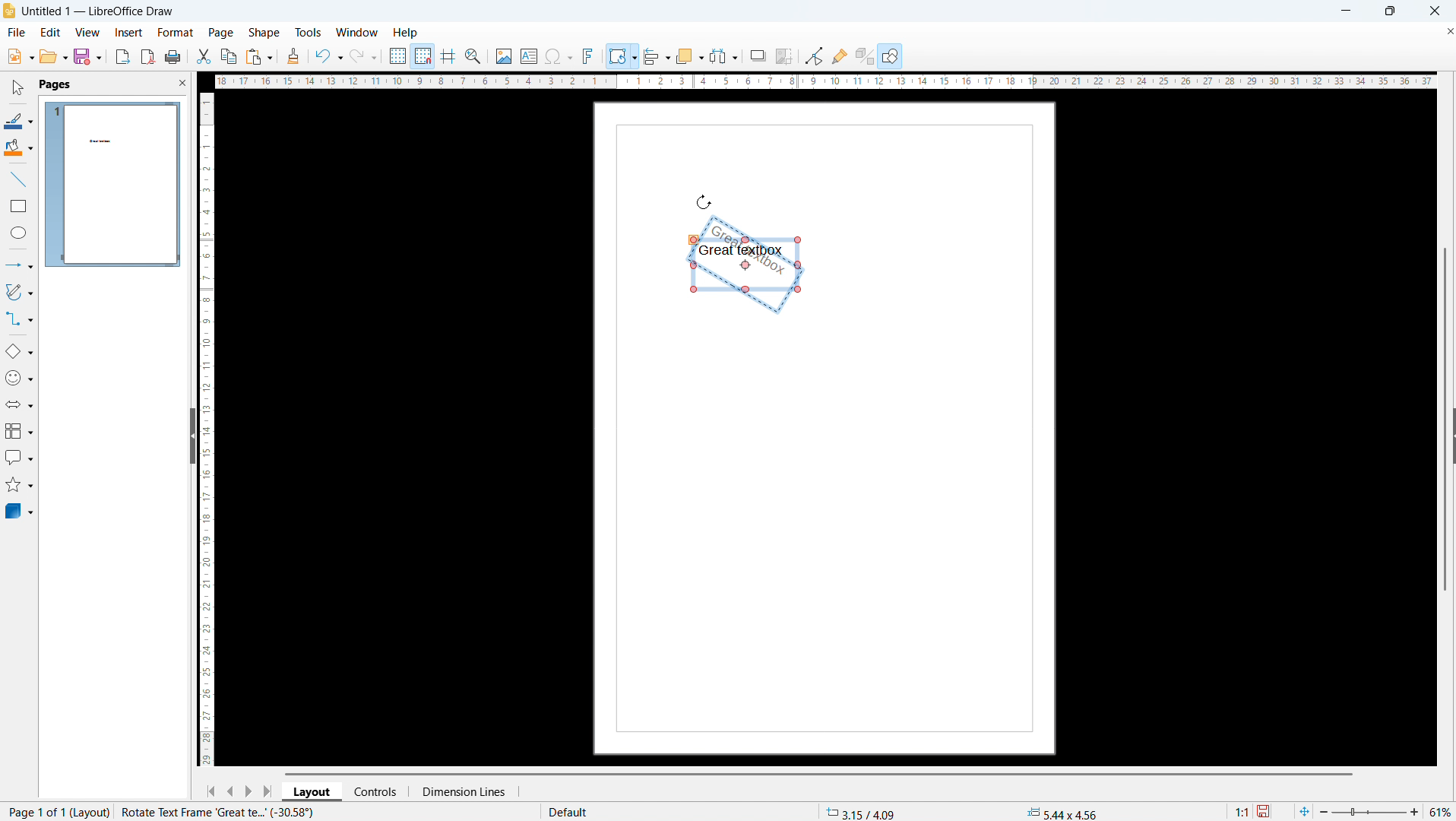 The height and width of the screenshot is (821, 1456). Describe the element at coordinates (831, 540) in the screenshot. I see `Page ` at that location.